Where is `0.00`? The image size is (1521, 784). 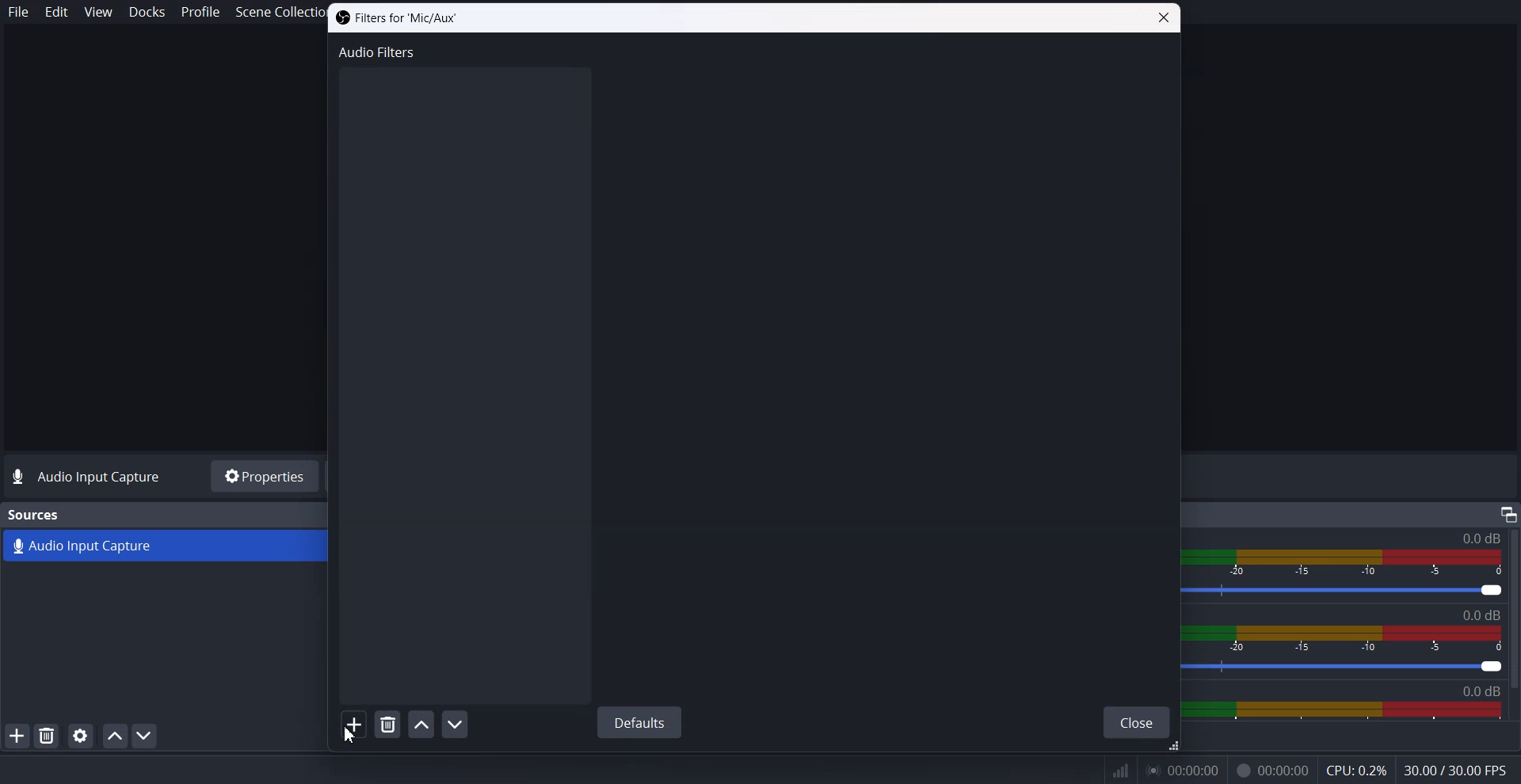
0.00 is located at coordinates (1180, 771).